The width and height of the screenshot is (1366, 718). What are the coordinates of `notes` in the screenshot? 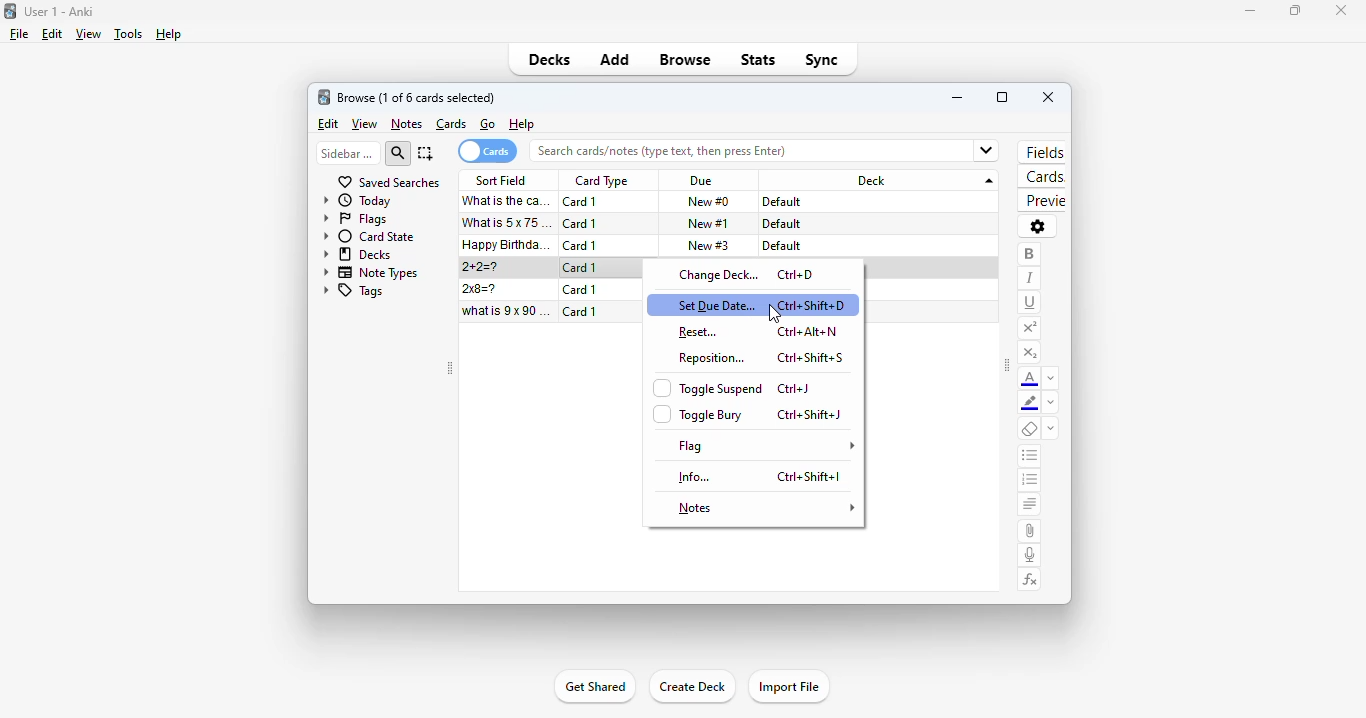 It's located at (764, 508).